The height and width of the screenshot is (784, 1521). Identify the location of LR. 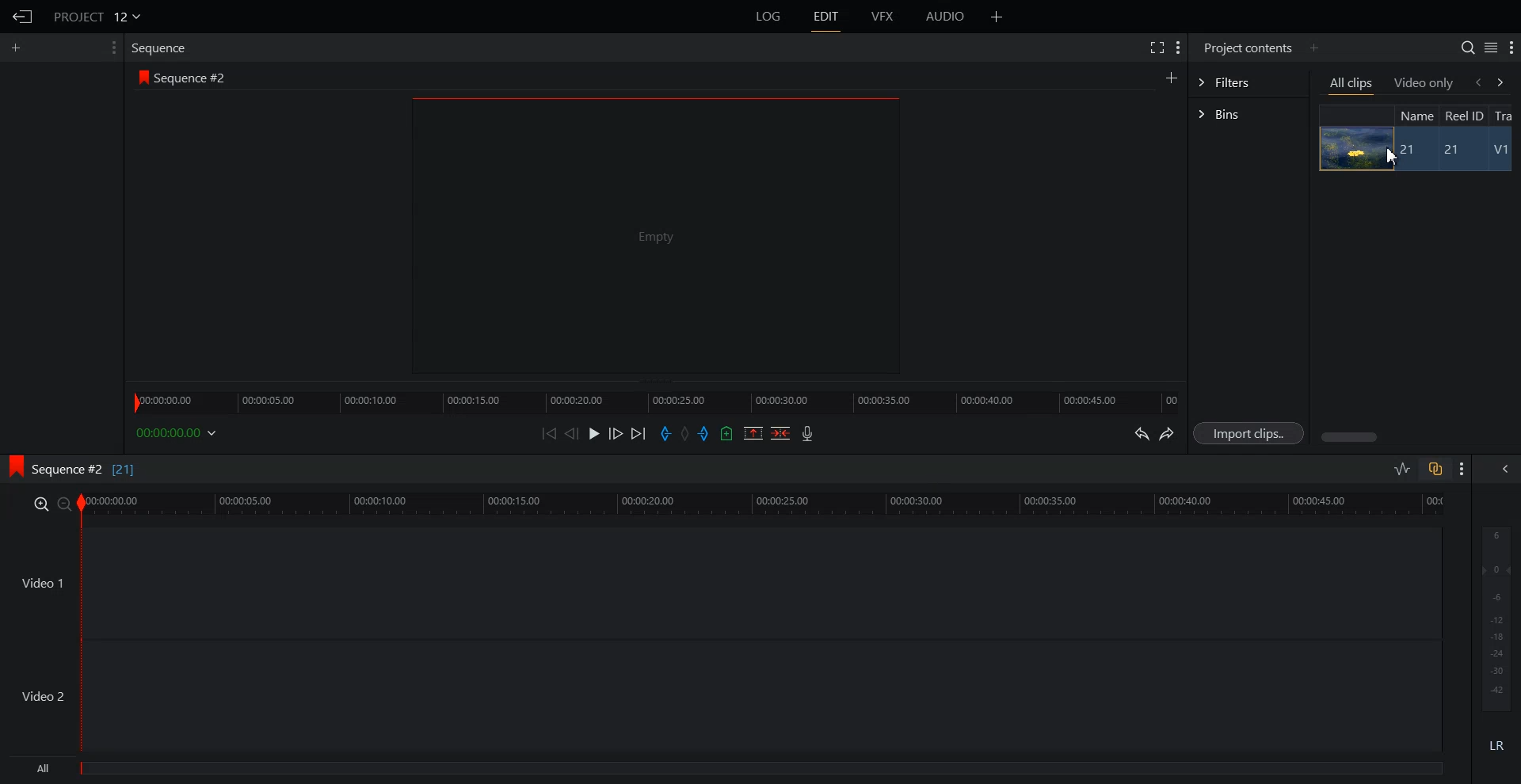
(1497, 743).